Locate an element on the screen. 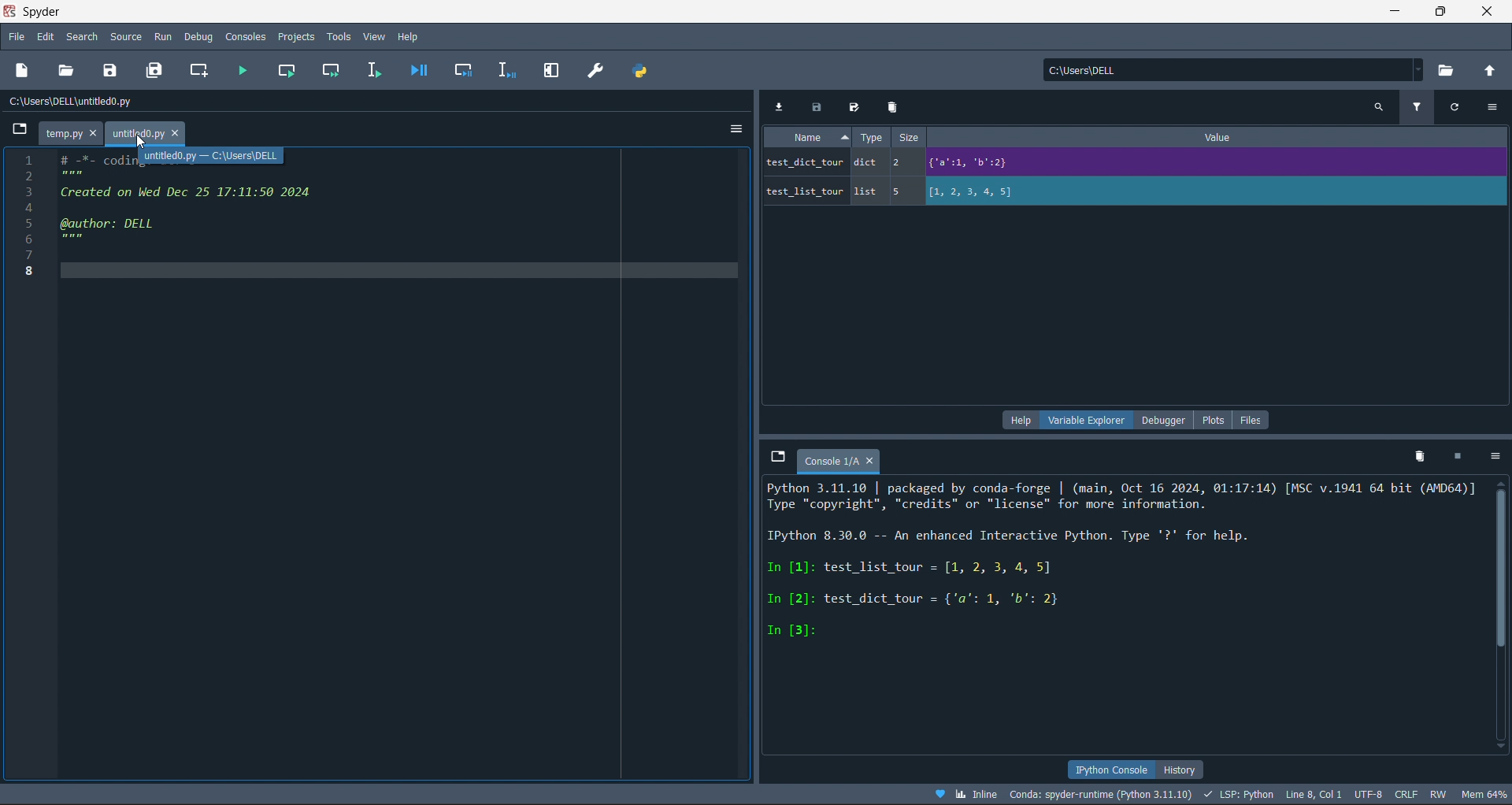 The image size is (1512, 805). run file is located at coordinates (245, 69).